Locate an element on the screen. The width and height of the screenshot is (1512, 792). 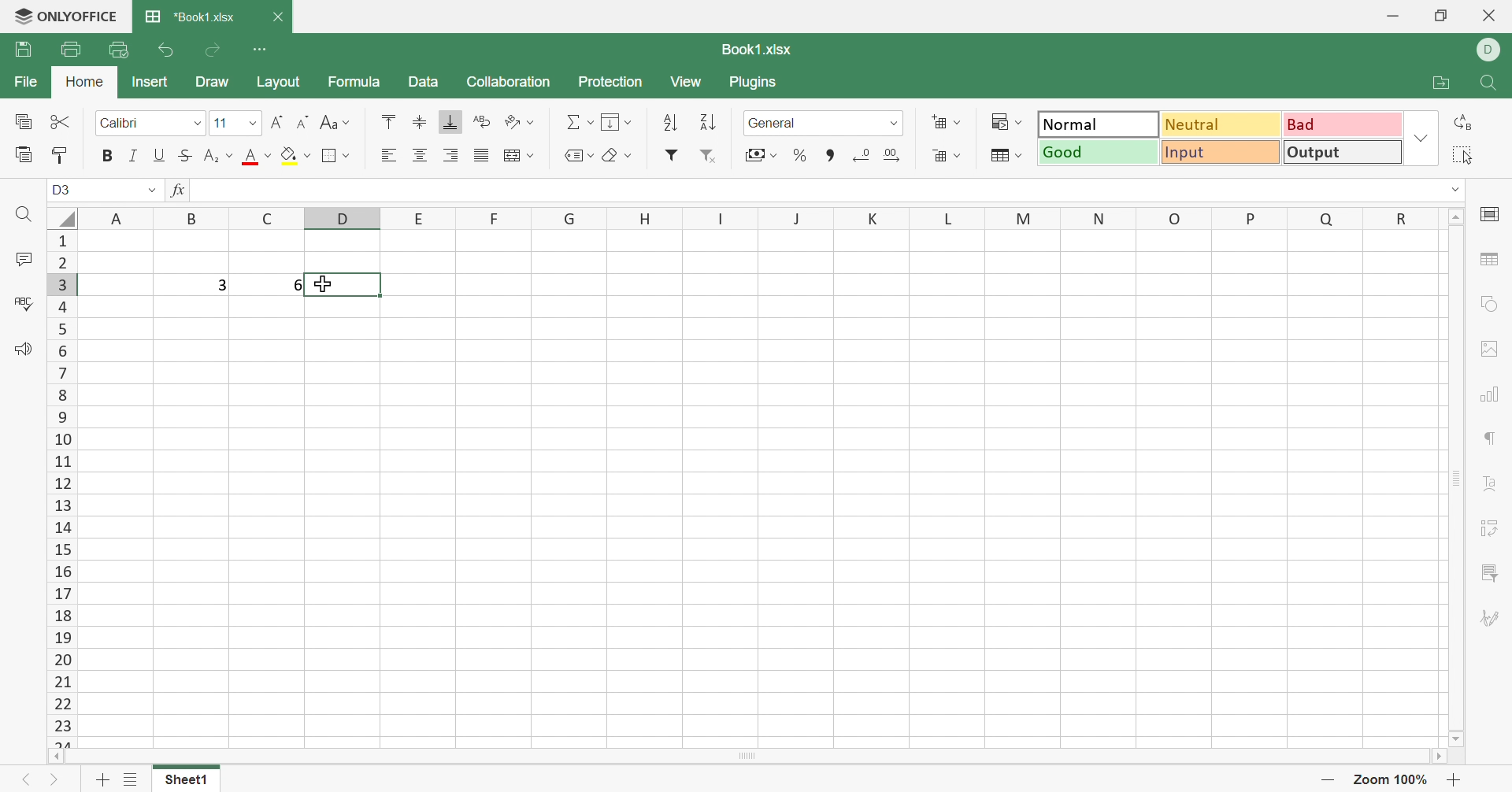
Find is located at coordinates (27, 217).